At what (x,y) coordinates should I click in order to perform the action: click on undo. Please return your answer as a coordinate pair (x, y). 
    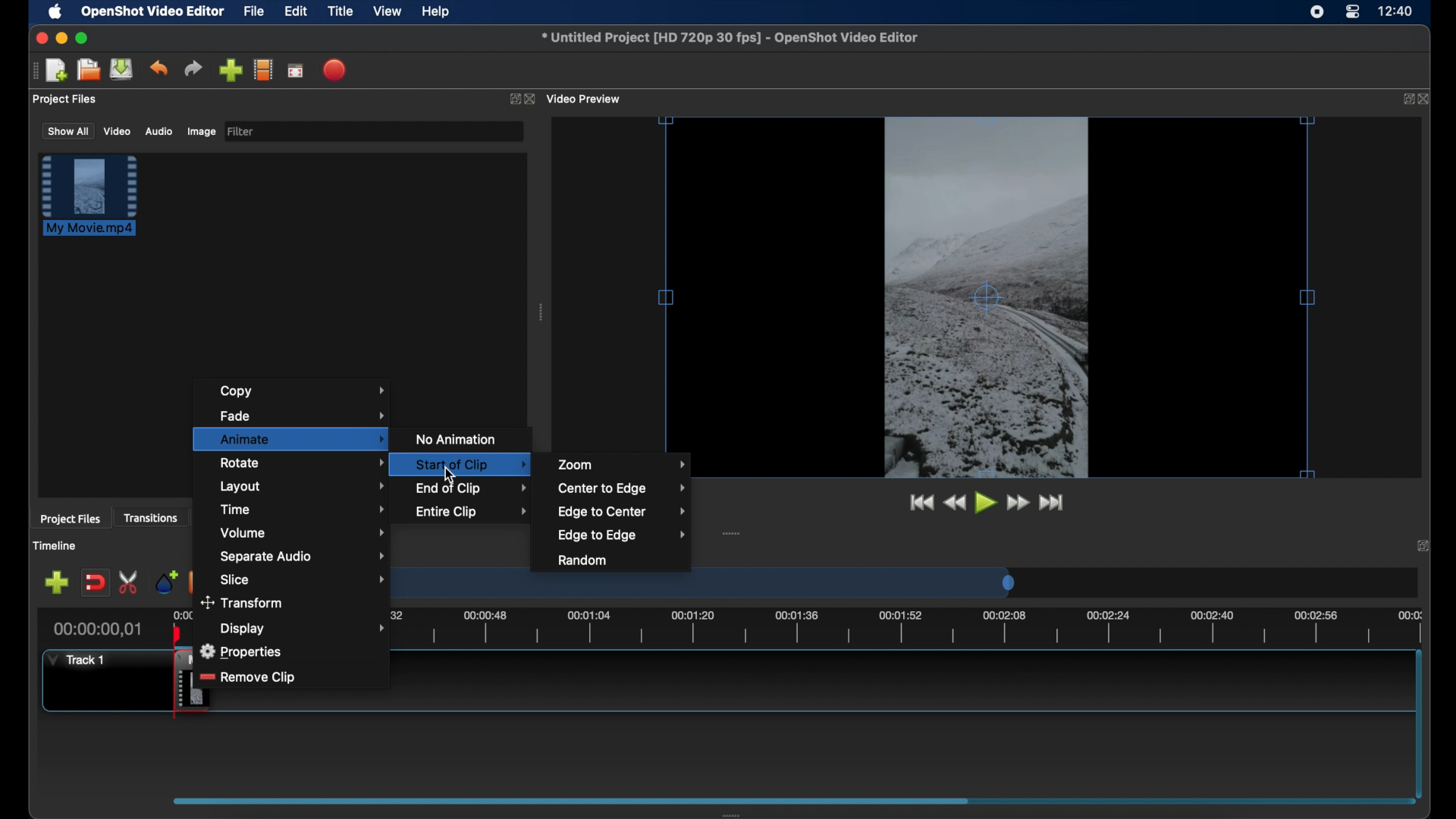
    Looking at the image, I should click on (158, 67).